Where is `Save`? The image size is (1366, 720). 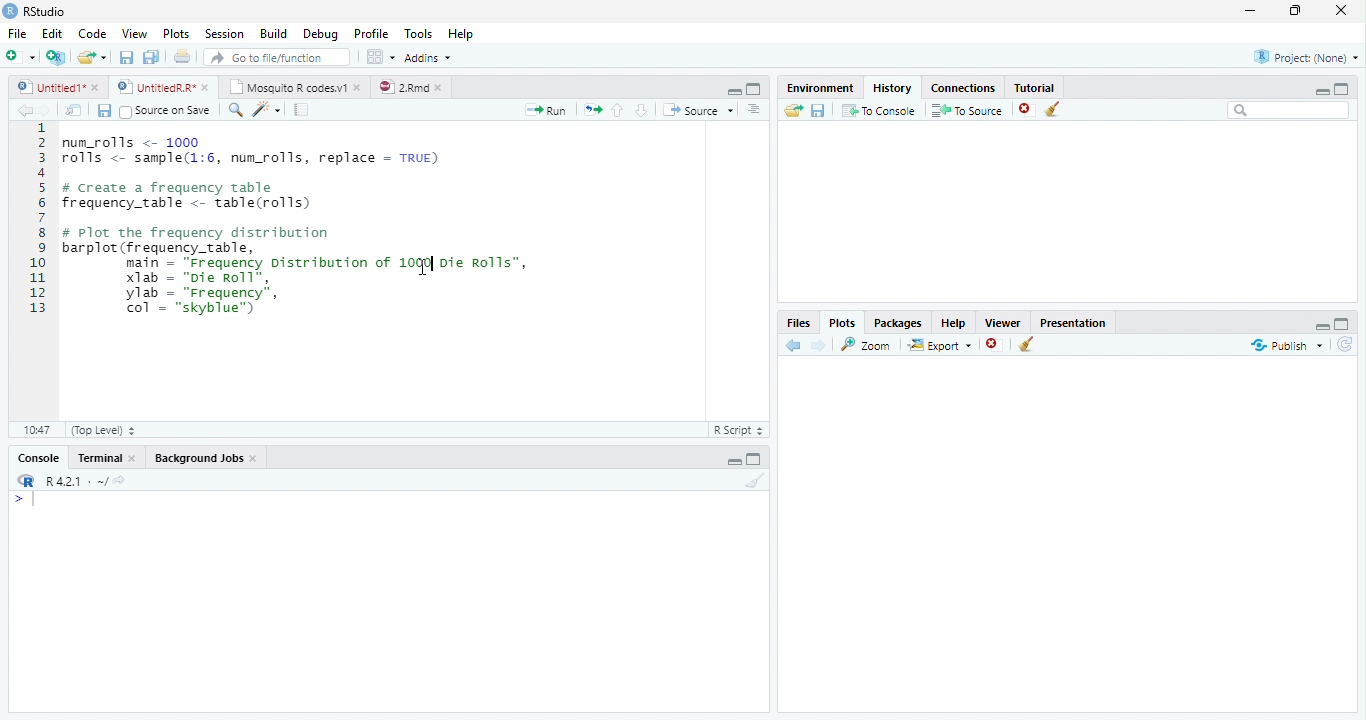
Save is located at coordinates (103, 110).